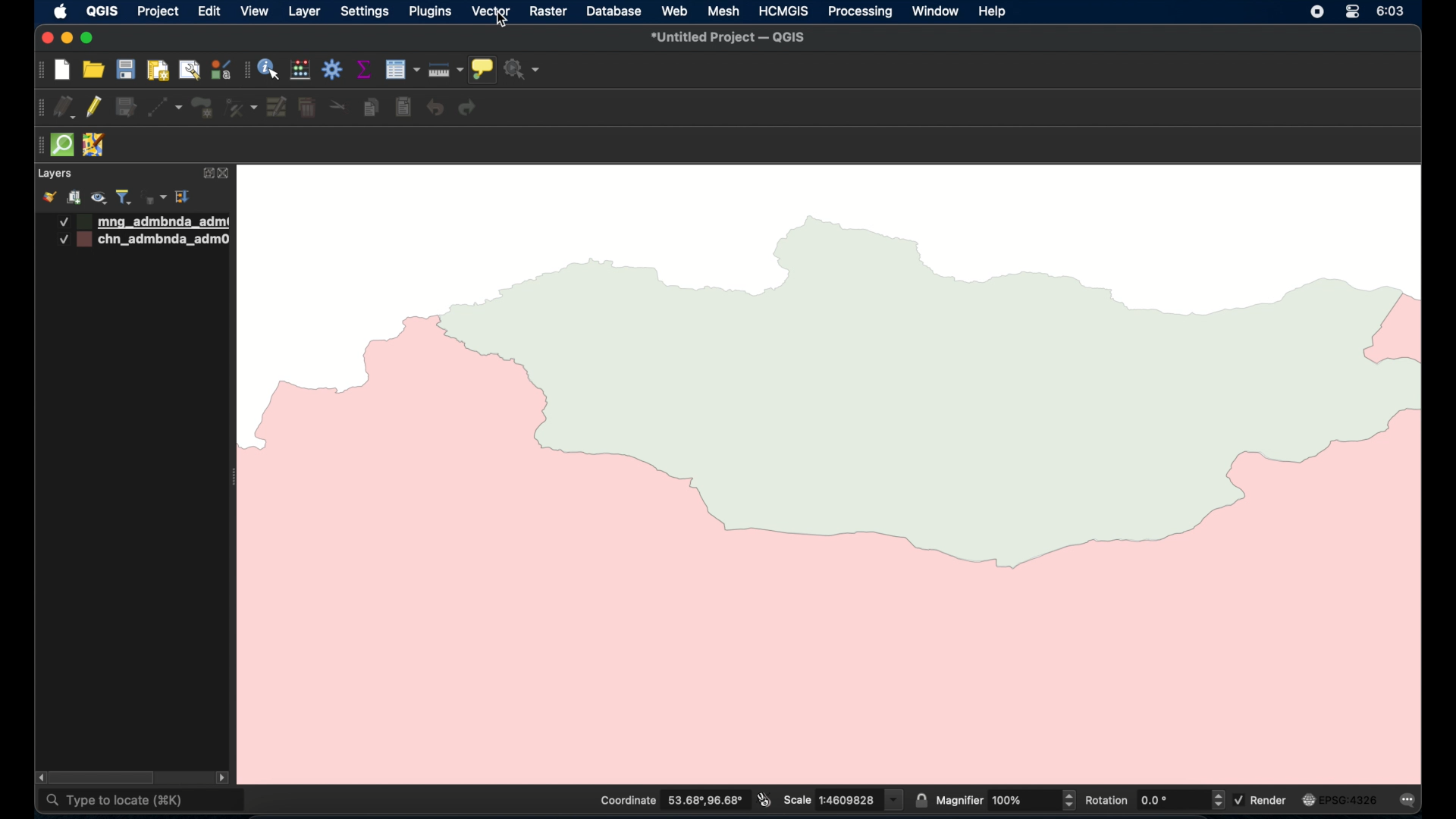  What do you see at coordinates (220, 69) in the screenshot?
I see `styling manager` at bounding box center [220, 69].